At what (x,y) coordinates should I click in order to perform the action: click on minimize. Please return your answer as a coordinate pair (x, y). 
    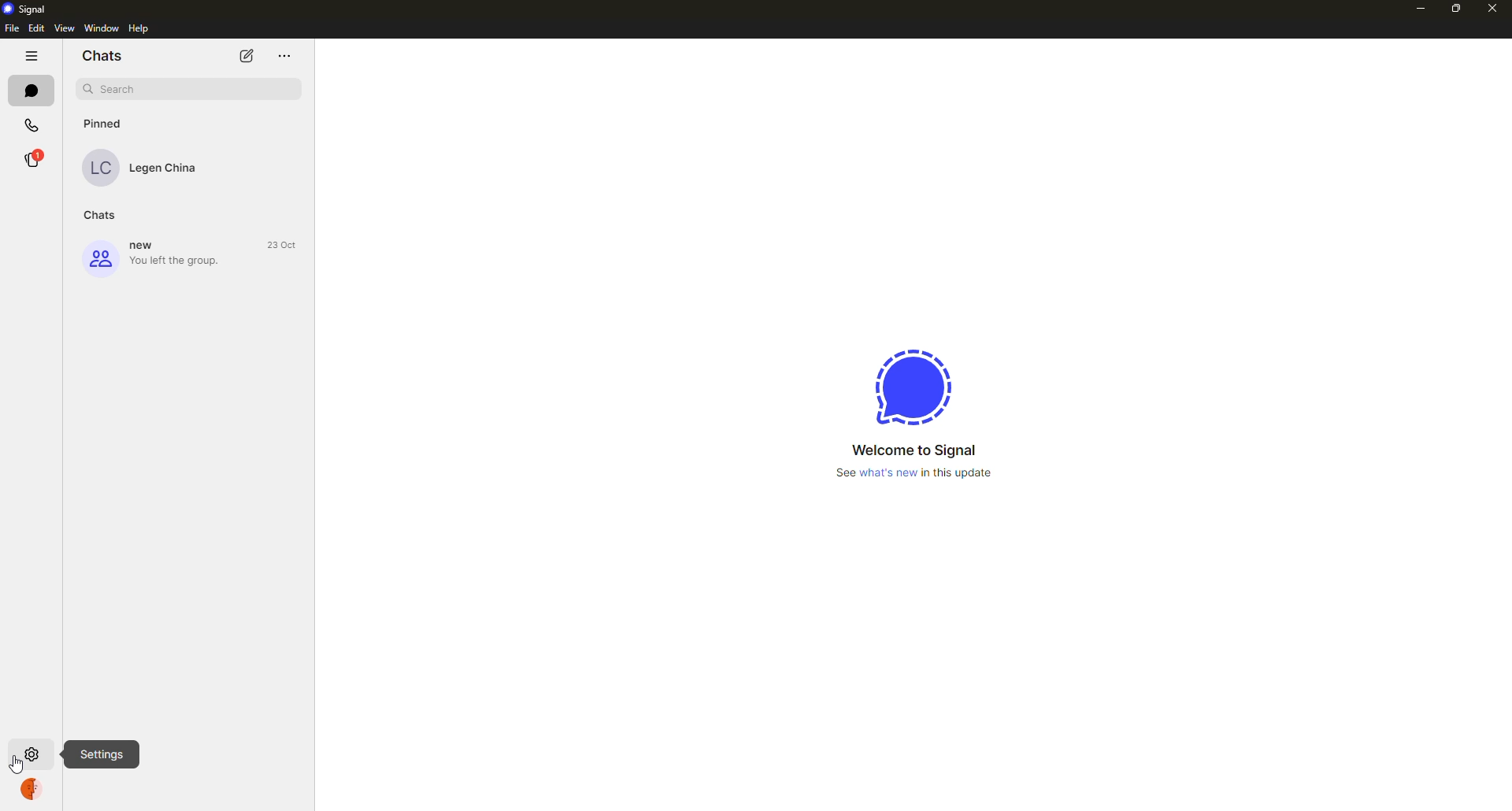
    Looking at the image, I should click on (1421, 9).